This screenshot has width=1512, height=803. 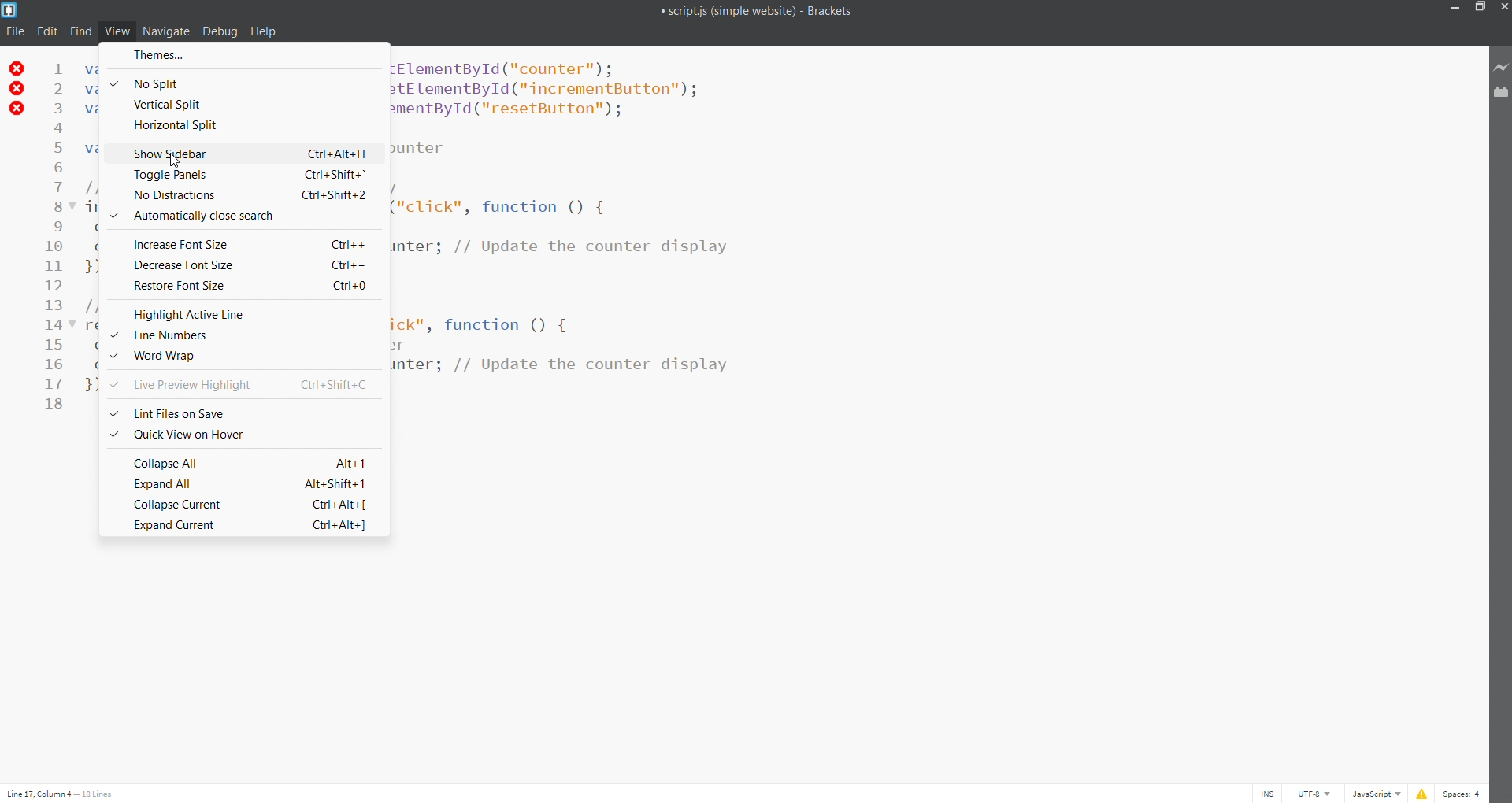 I want to click on collapse all, so click(x=239, y=461).